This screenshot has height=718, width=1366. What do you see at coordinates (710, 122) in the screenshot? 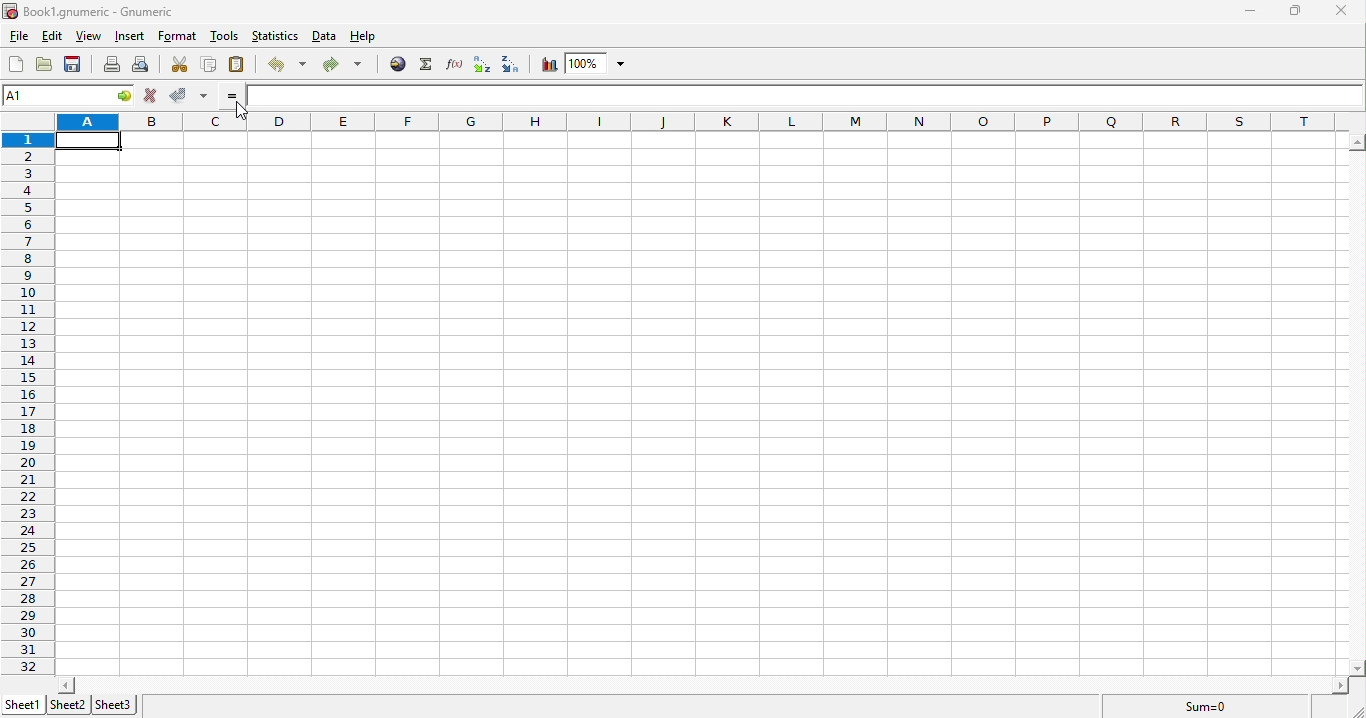
I see `column headings` at bounding box center [710, 122].